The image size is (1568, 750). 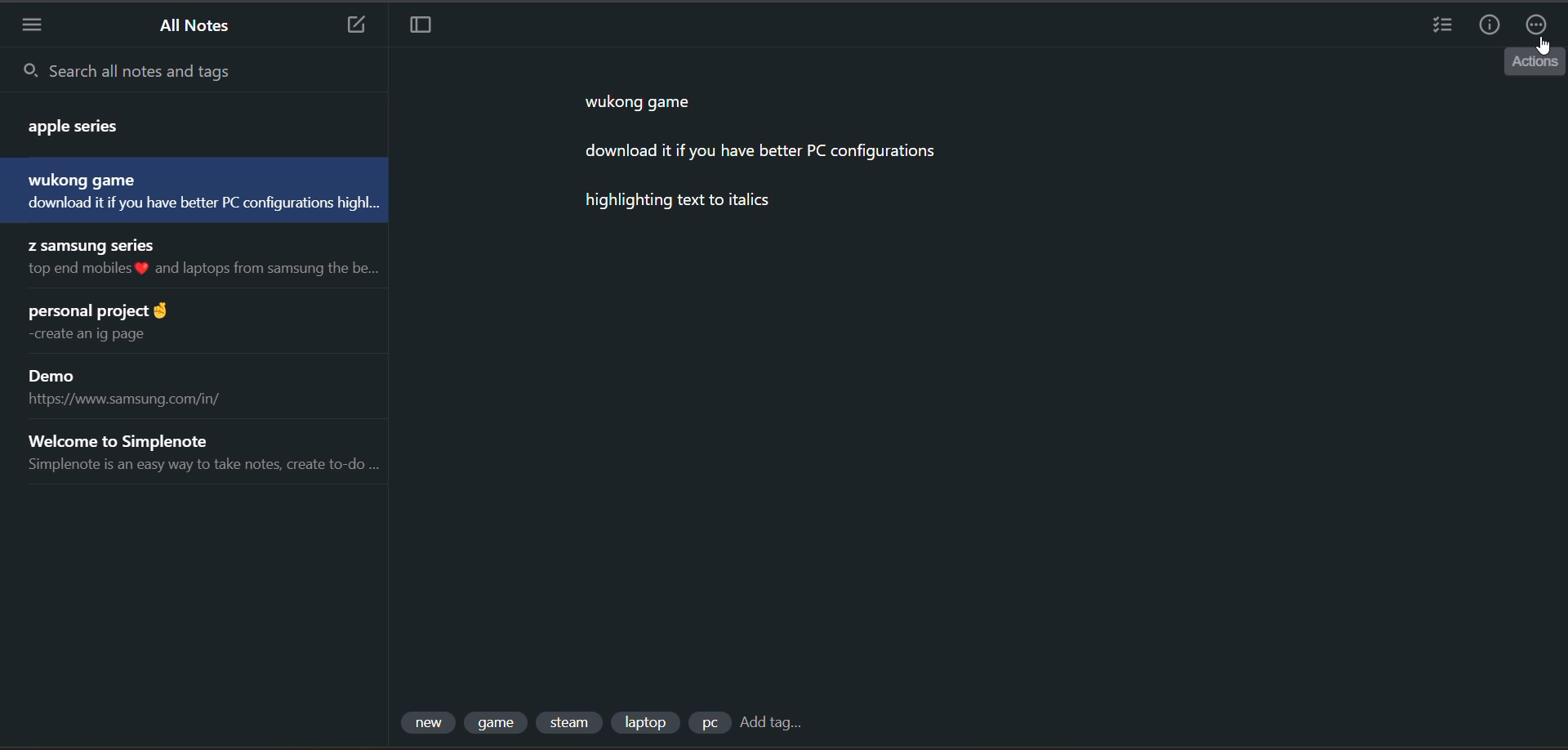 I want to click on new note, so click(x=355, y=25).